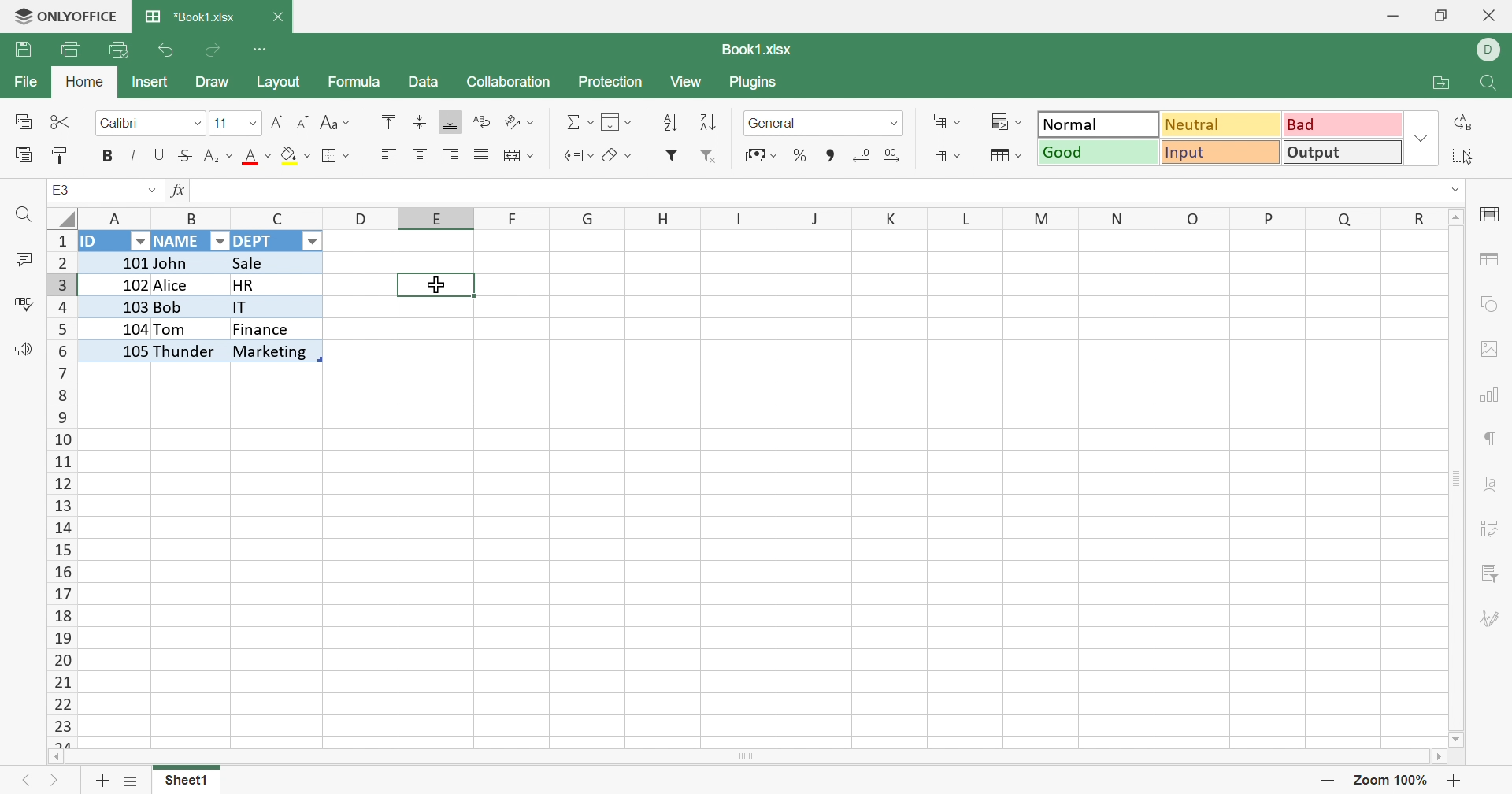  Describe the element at coordinates (1392, 781) in the screenshot. I see `Zoom 100%` at that location.